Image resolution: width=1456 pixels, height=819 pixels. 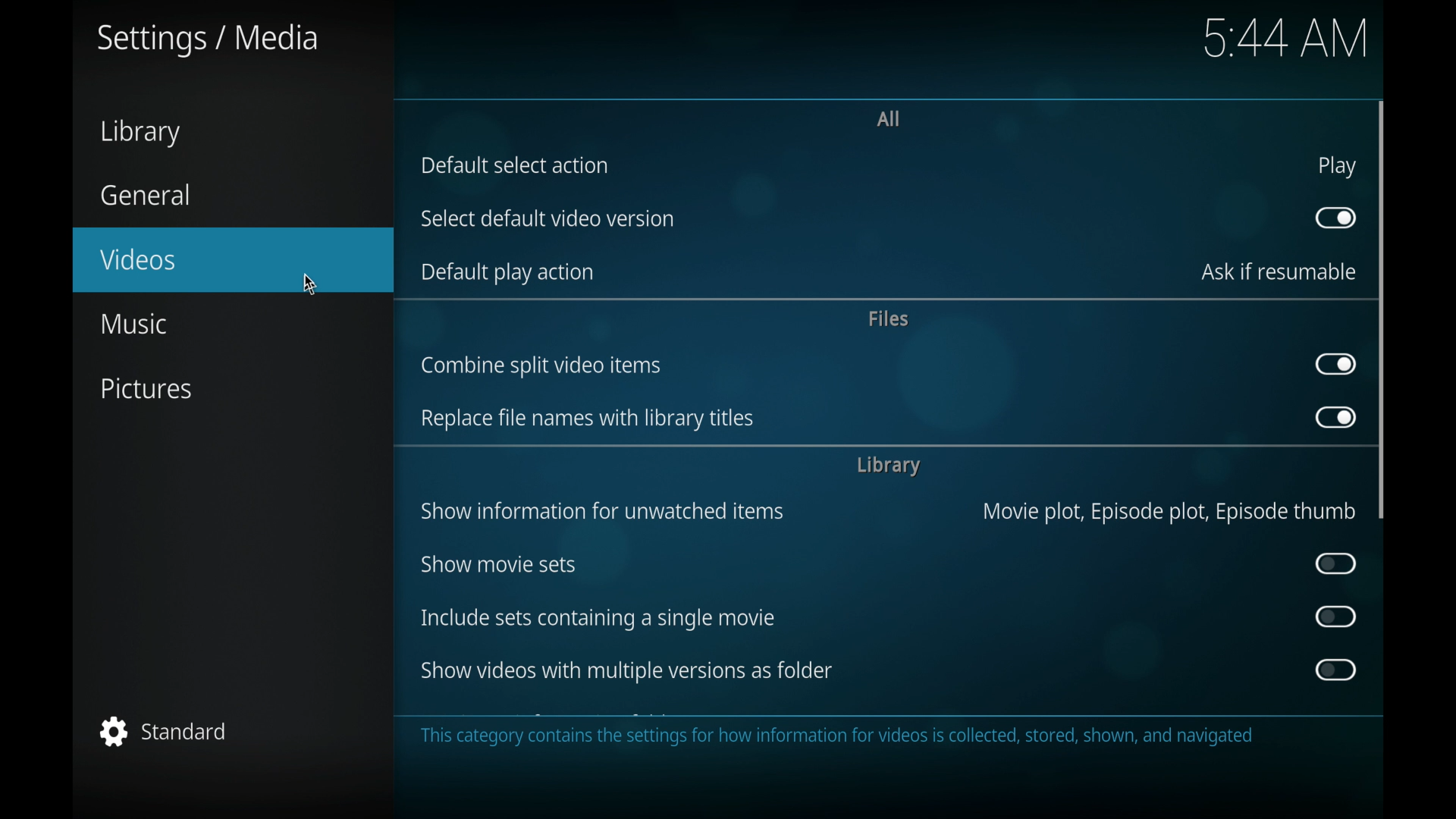 I want to click on standard, so click(x=164, y=731).